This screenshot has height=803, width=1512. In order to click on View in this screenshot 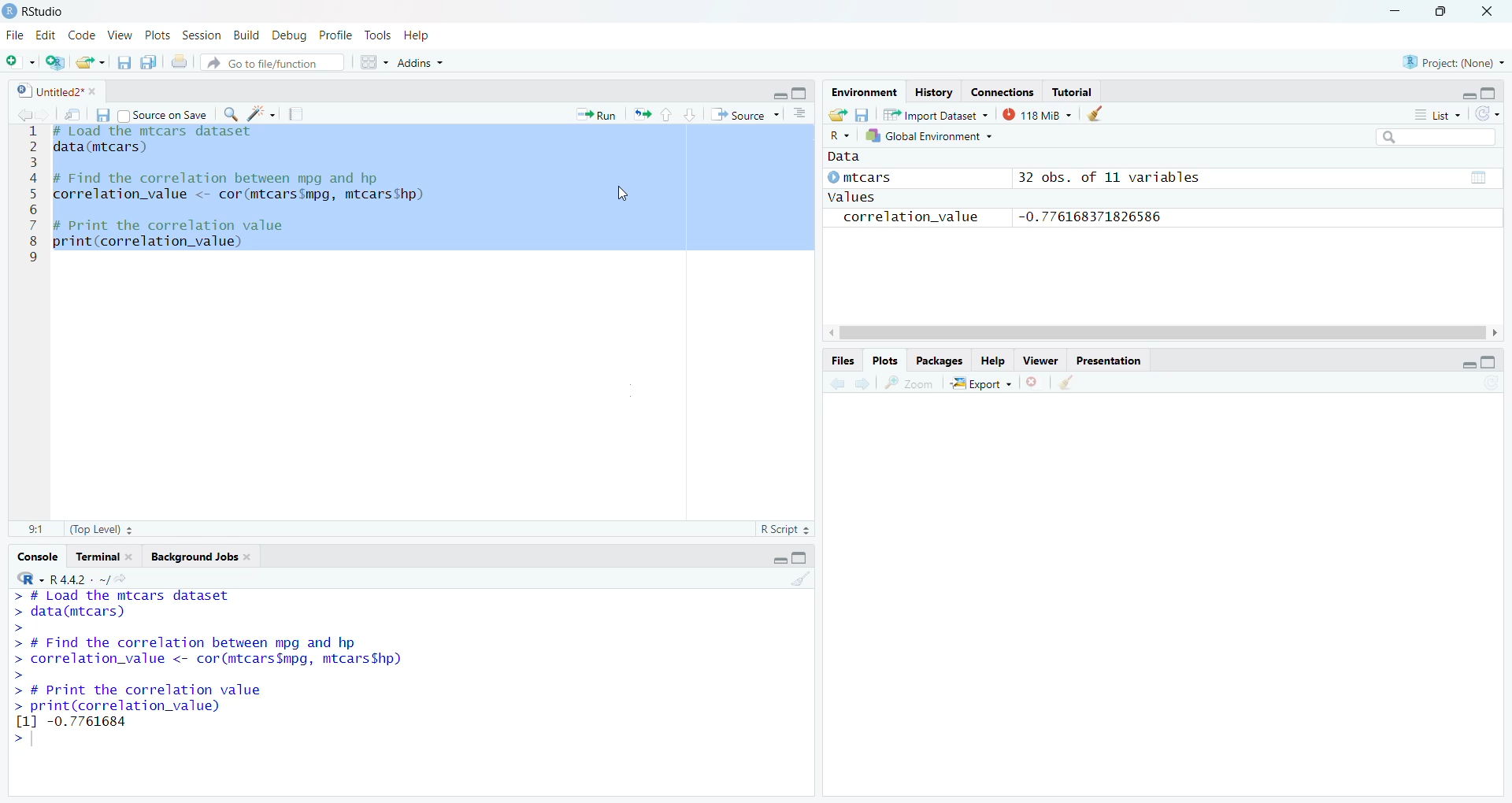, I will do `click(1040, 361)`.